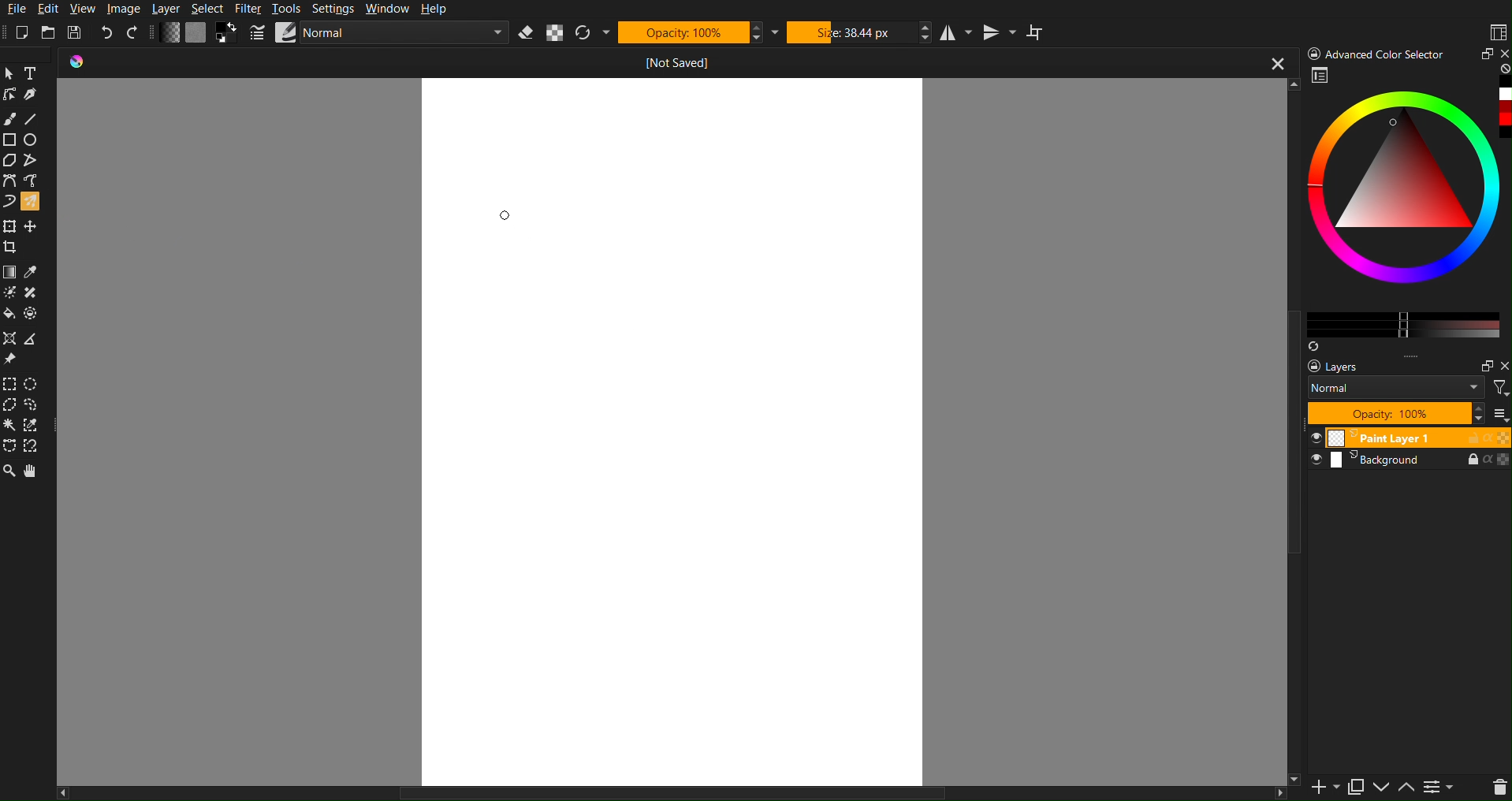 The height and width of the screenshot is (801, 1512). Describe the element at coordinates (38, 425) in the screenshot. I see `Similar color selection Tool` at that location.